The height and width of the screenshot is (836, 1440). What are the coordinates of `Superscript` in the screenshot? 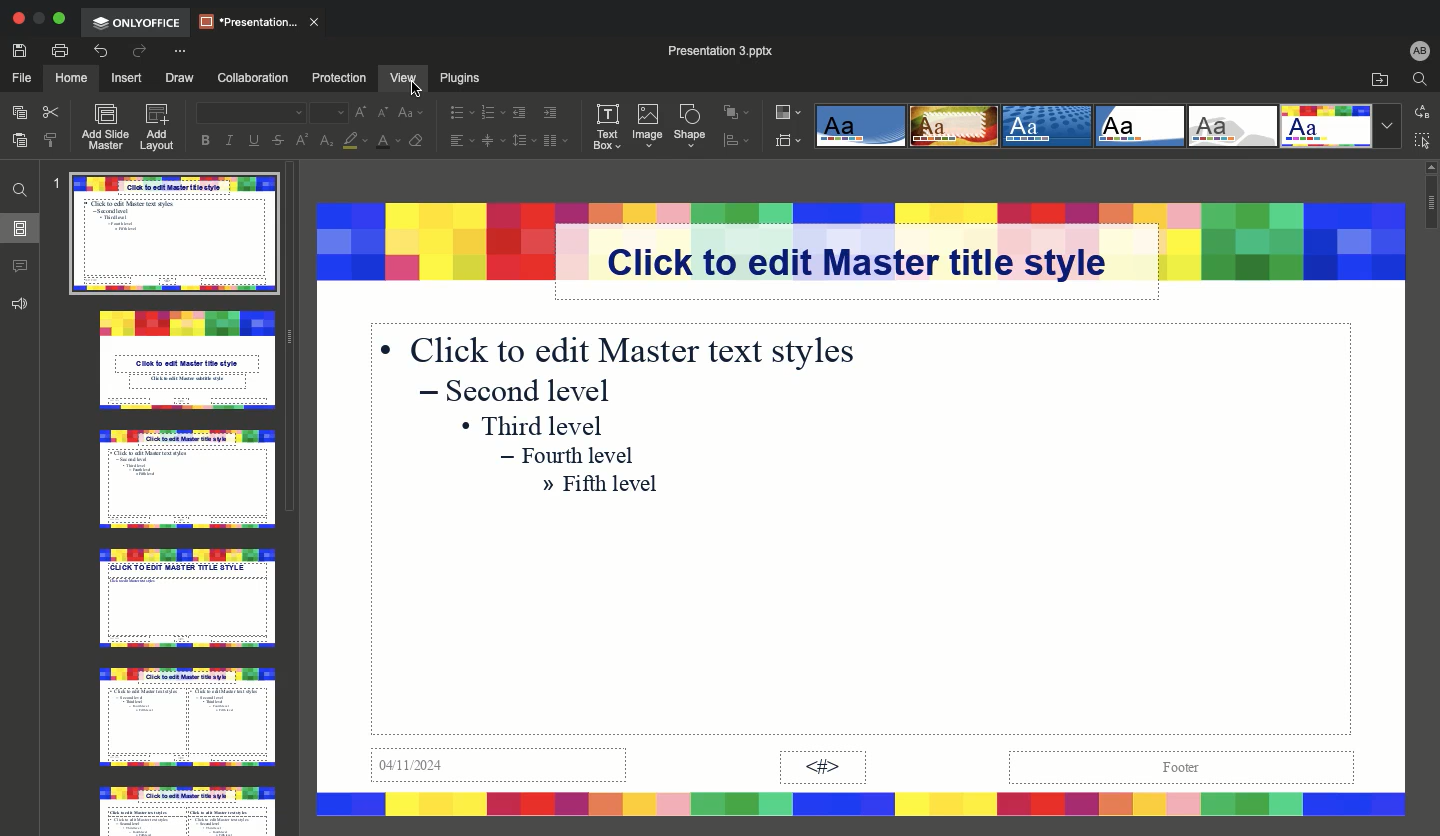 It's located at (303, 140).